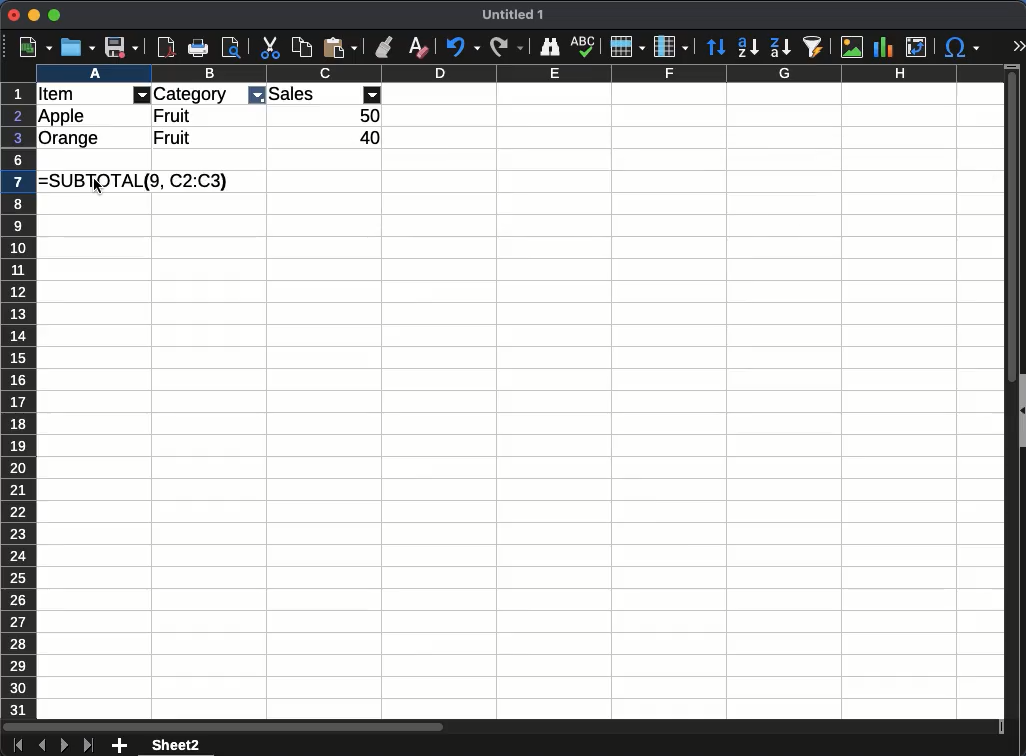 Image resolution: width=1026 pixels, height=756 pixels. What do you see at coordinates (584, 47) in the screenshot?
I see `spelling` at bounding box center [584, 47].